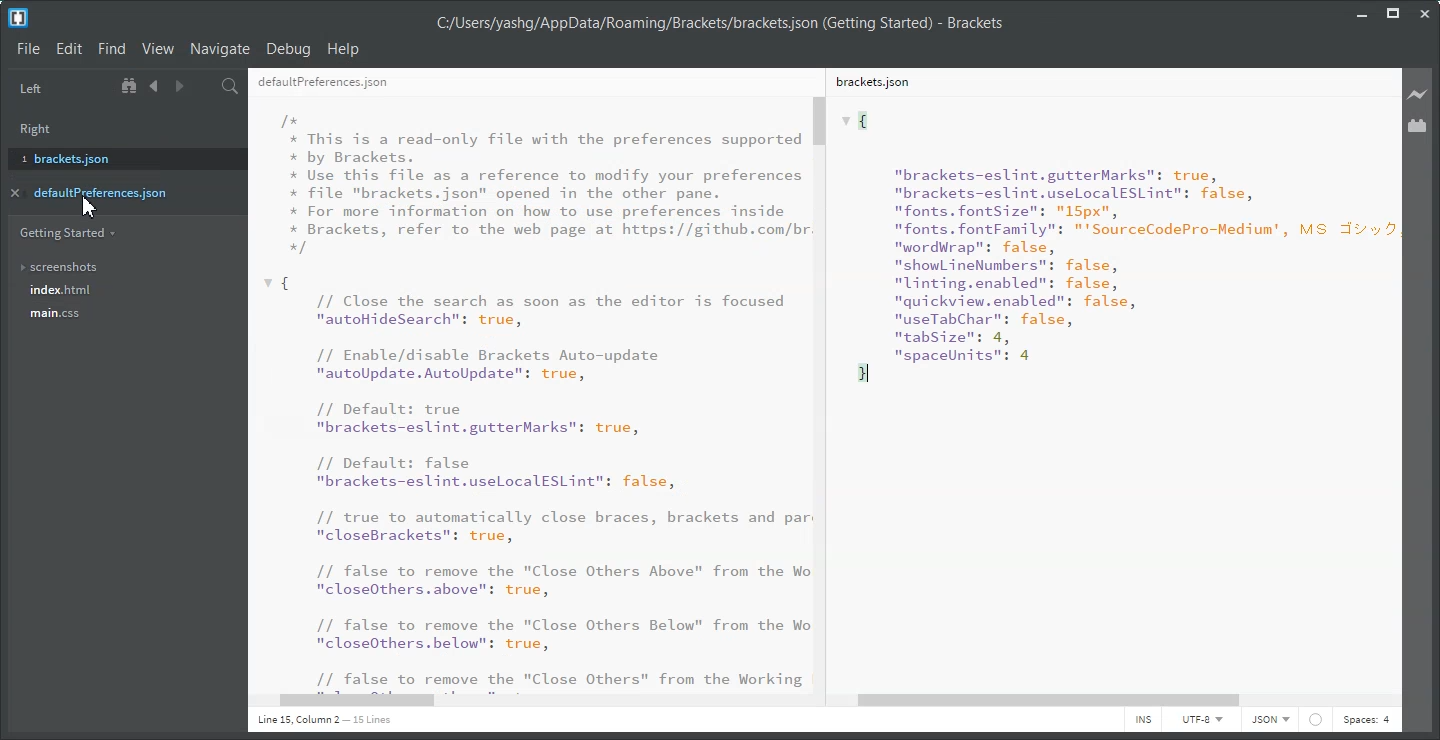  What do you see at coordinates (204, 86) in the screenshot?
I see `Split the editor vertically or Horizontally` at bounding box center [204, 86].